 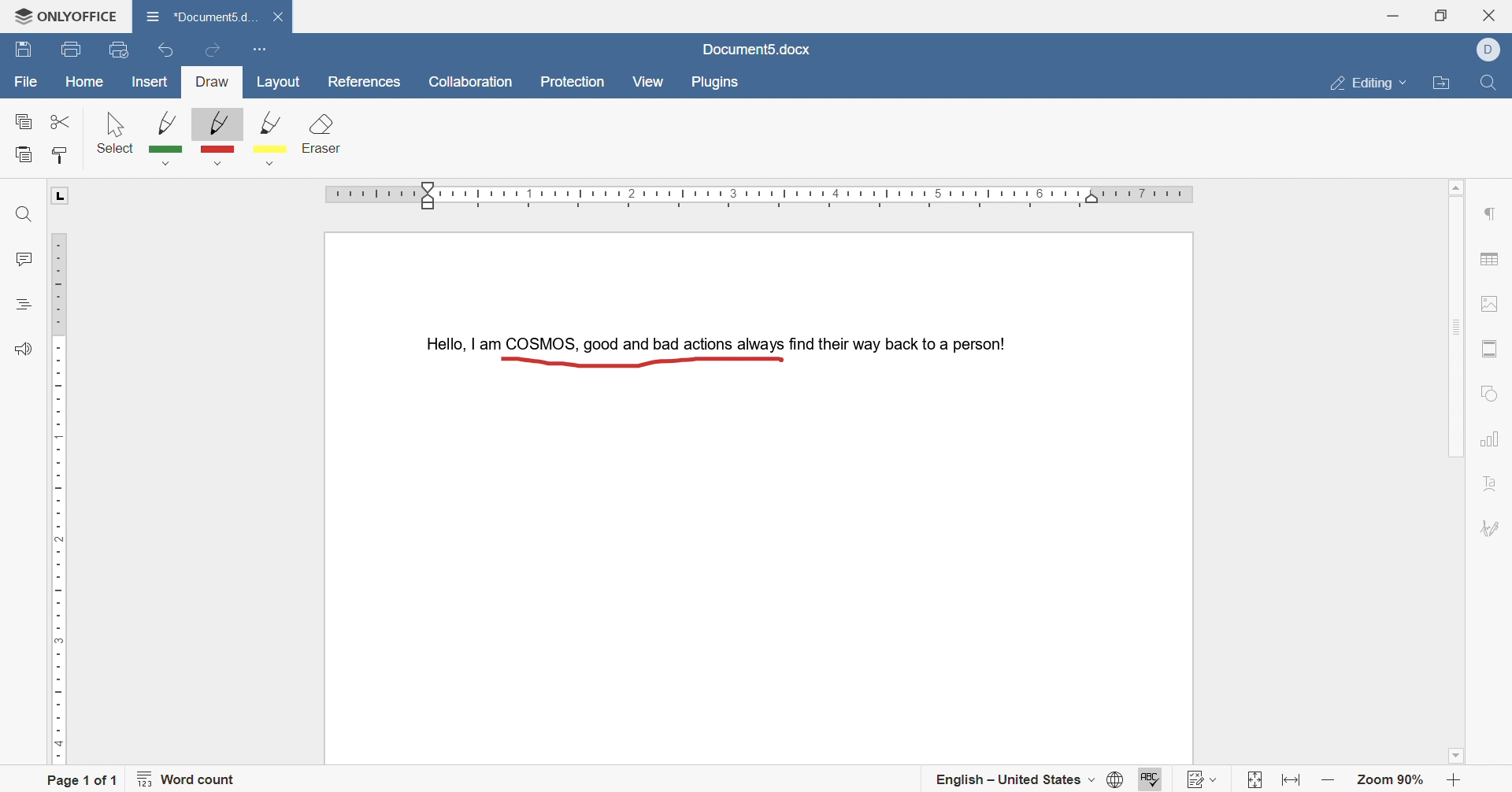 I want to click on headings, so click(x=24, y=302).